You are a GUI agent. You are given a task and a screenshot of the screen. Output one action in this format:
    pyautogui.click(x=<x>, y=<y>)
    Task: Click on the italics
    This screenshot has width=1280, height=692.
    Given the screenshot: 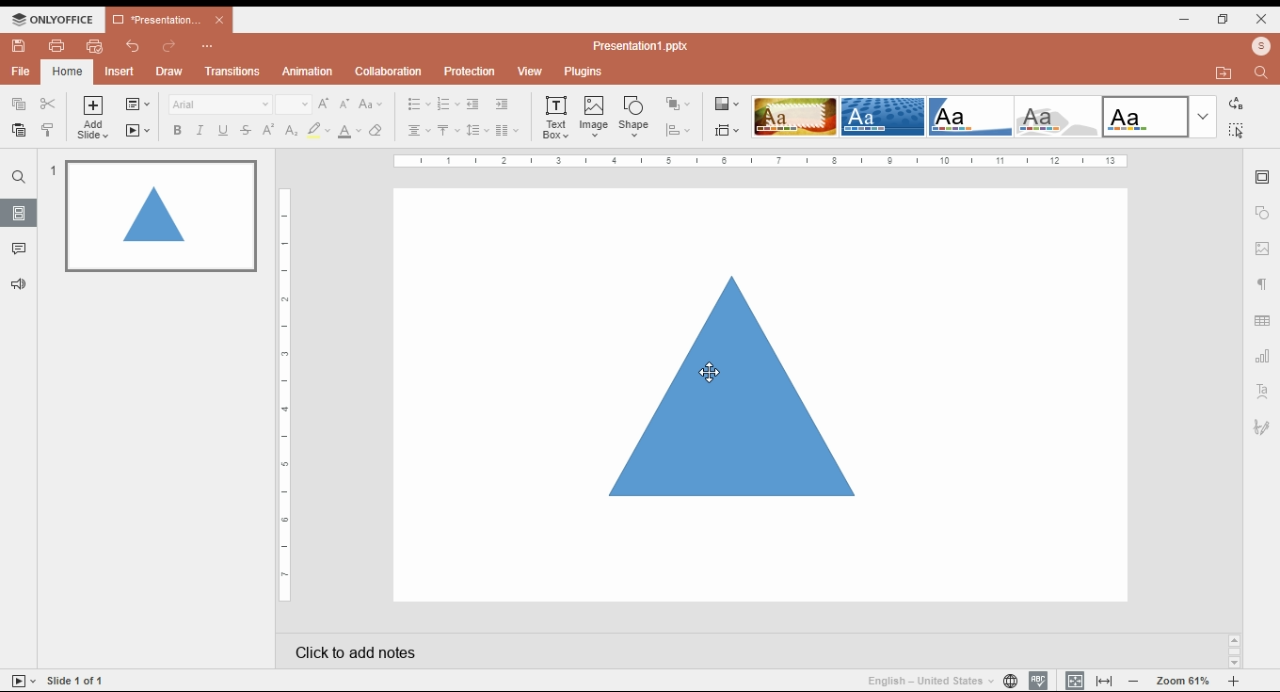 What is the action you would take?
    pyautogui.click(x=198, y=129)
    